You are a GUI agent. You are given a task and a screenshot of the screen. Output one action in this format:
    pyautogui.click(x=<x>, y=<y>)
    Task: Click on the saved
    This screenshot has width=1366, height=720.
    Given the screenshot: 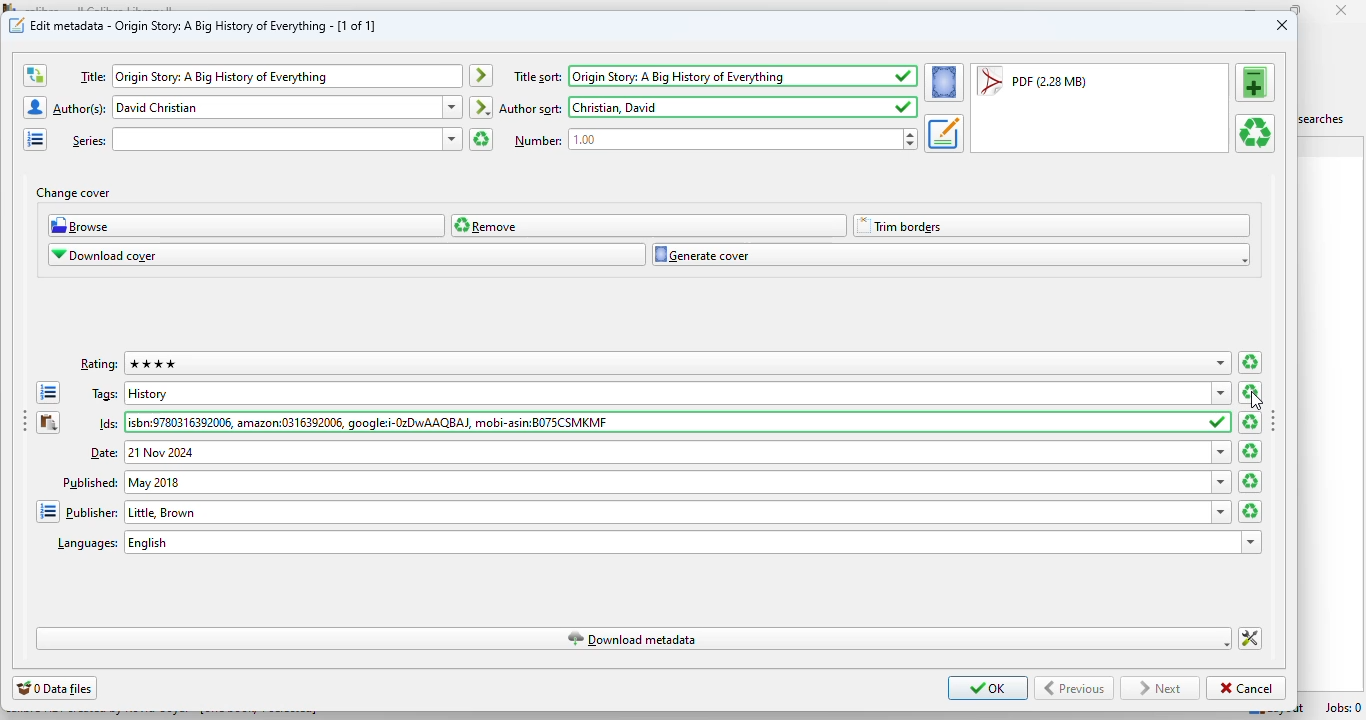 What is the action you would take?
    pyautogui.click(x=905, y=76)
    